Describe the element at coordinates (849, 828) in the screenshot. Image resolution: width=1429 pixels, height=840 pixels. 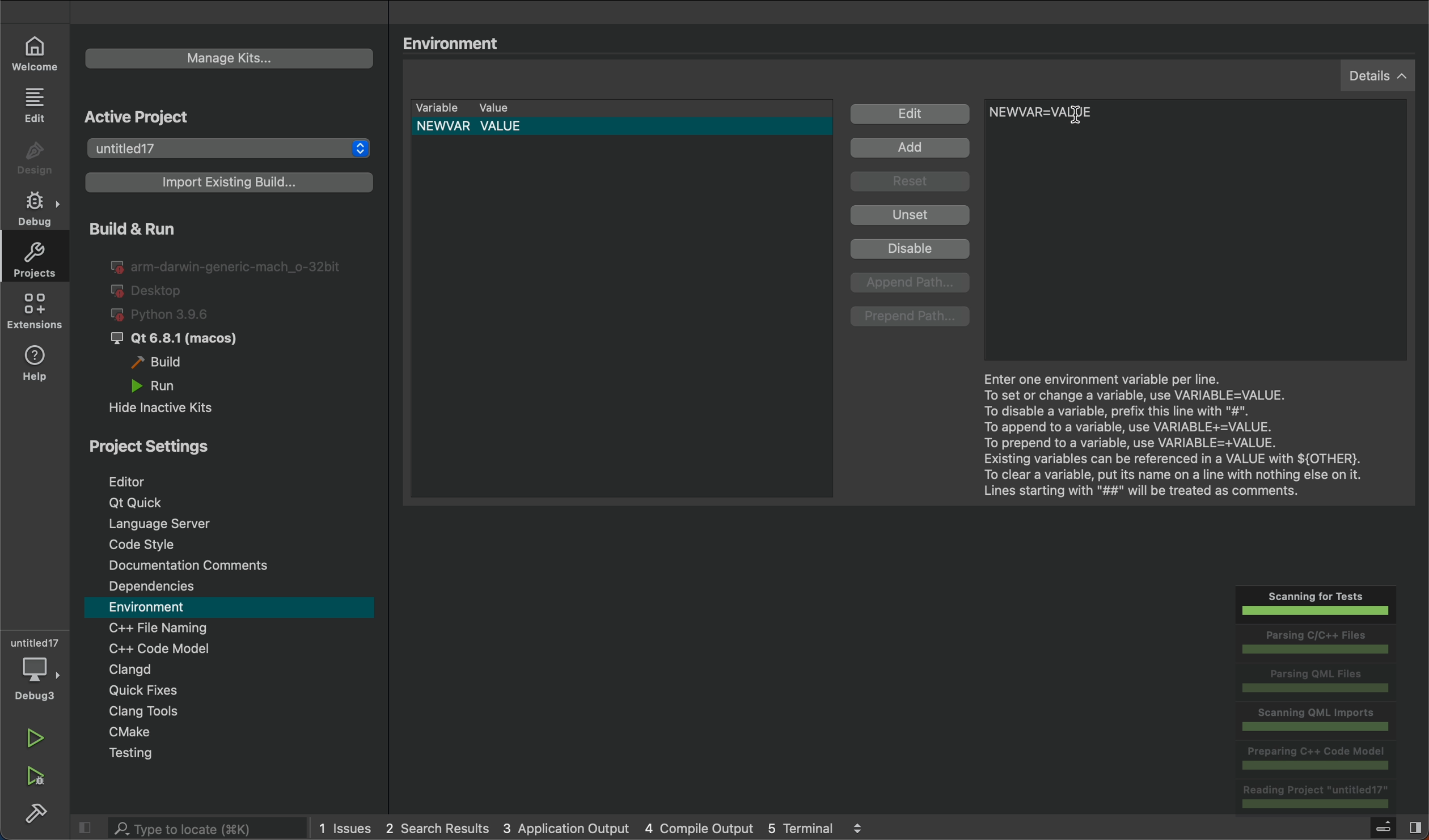
I see `5 terminal` at that location.